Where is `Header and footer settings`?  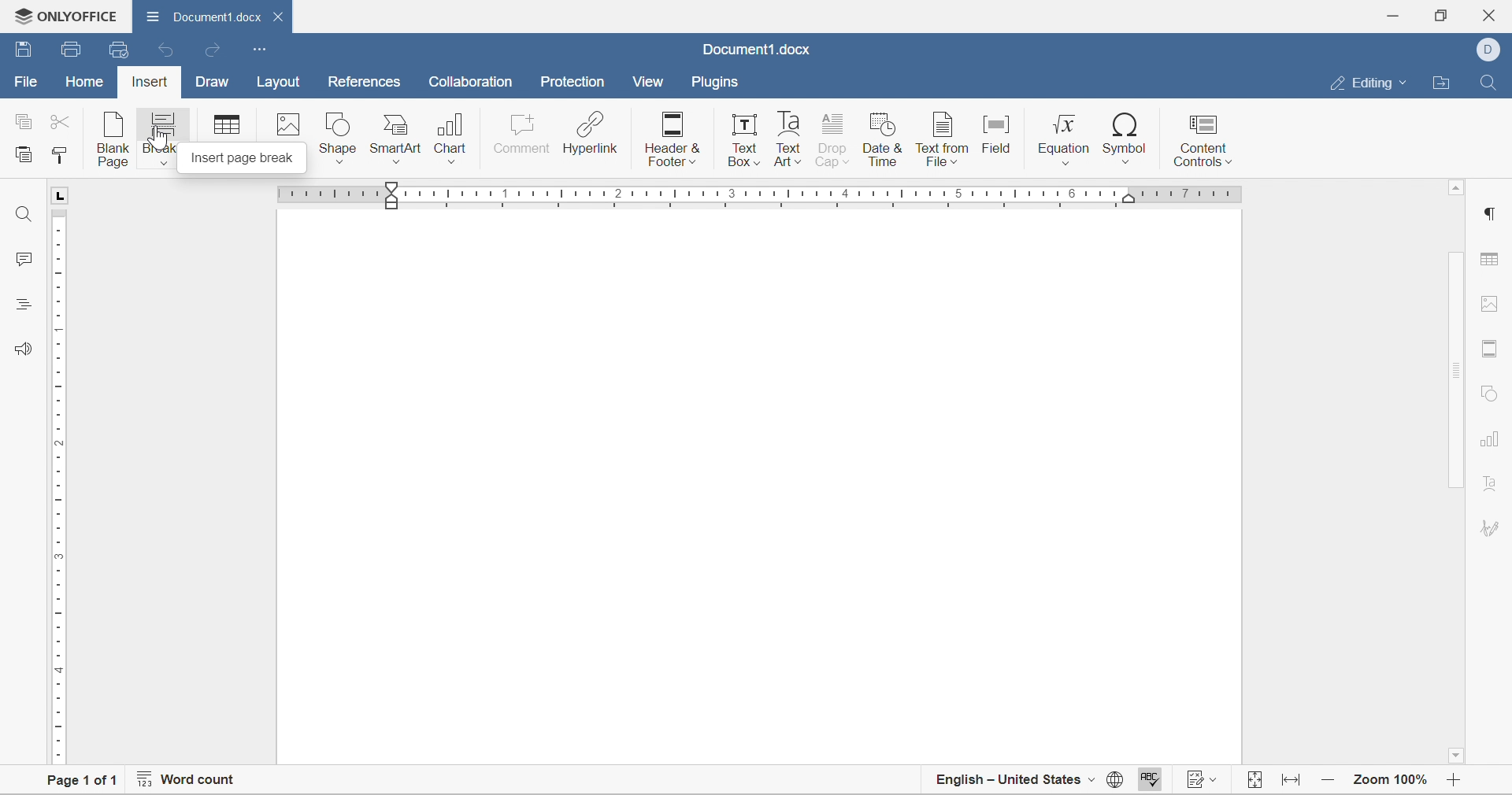
Header and footer settings is located at coordinates (1492, 350).